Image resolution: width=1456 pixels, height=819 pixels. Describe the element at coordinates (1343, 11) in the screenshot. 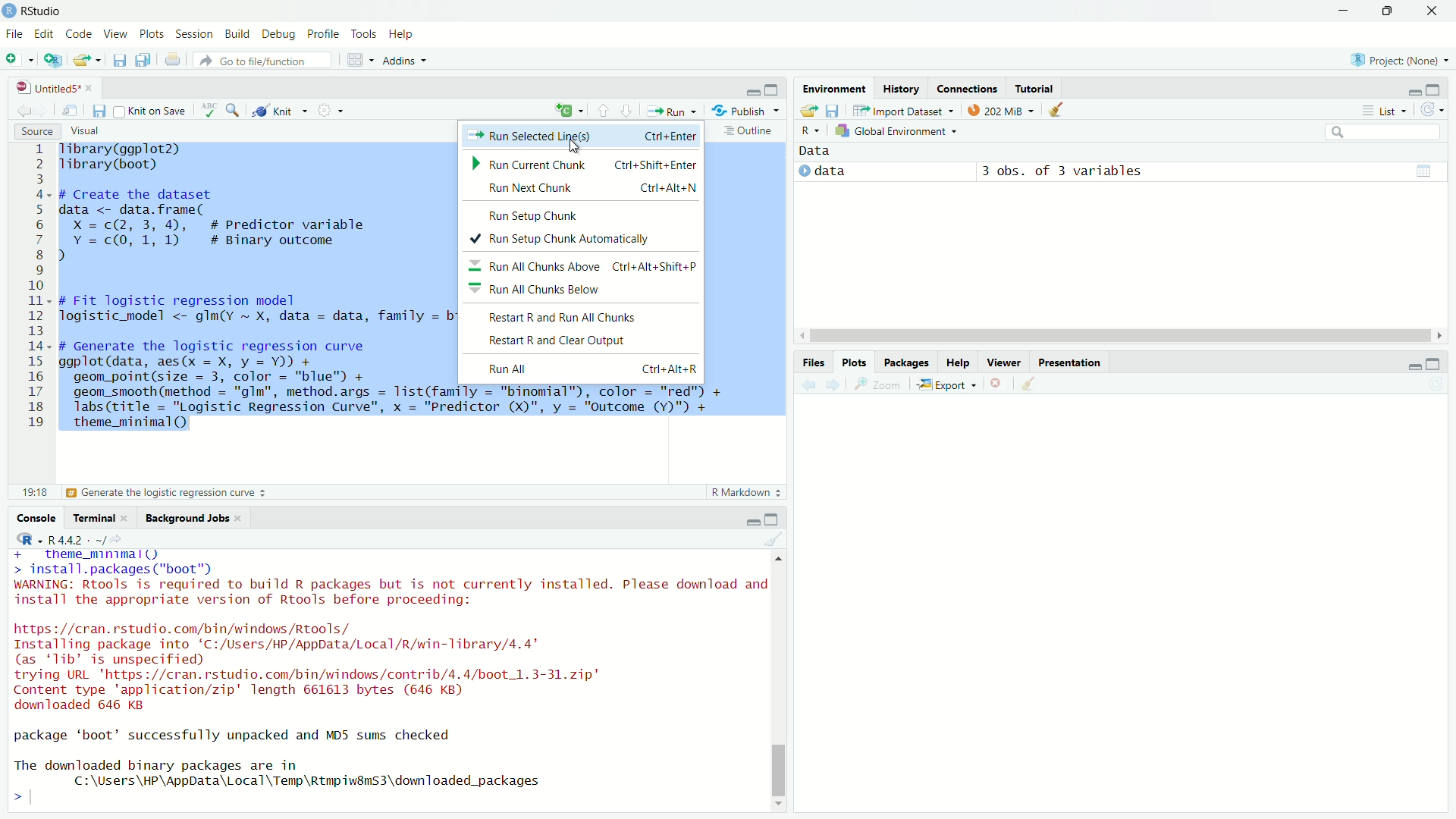

I see `minimize` at that location.